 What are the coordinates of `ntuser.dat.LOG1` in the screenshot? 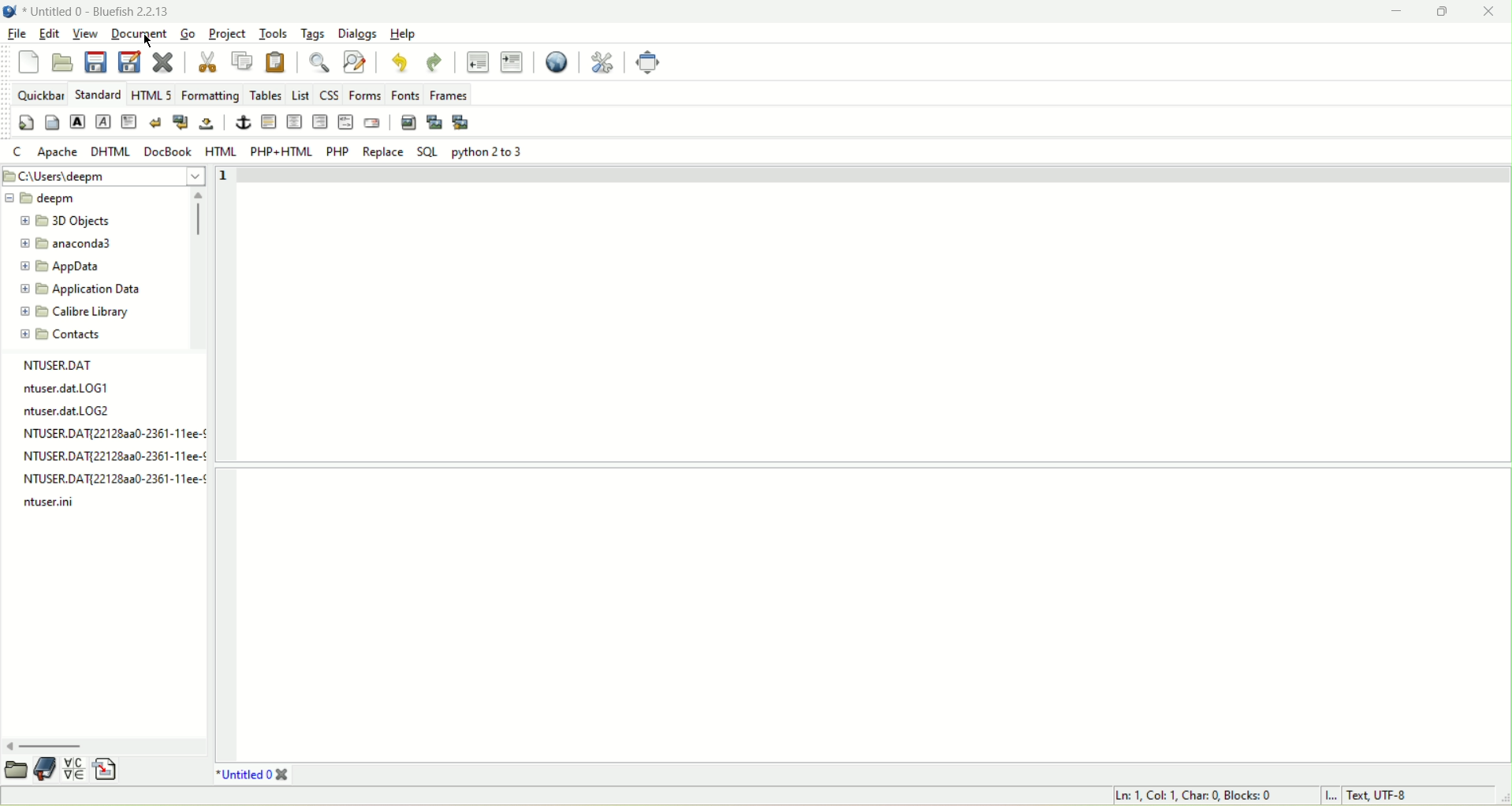 It's located at (71, 386).